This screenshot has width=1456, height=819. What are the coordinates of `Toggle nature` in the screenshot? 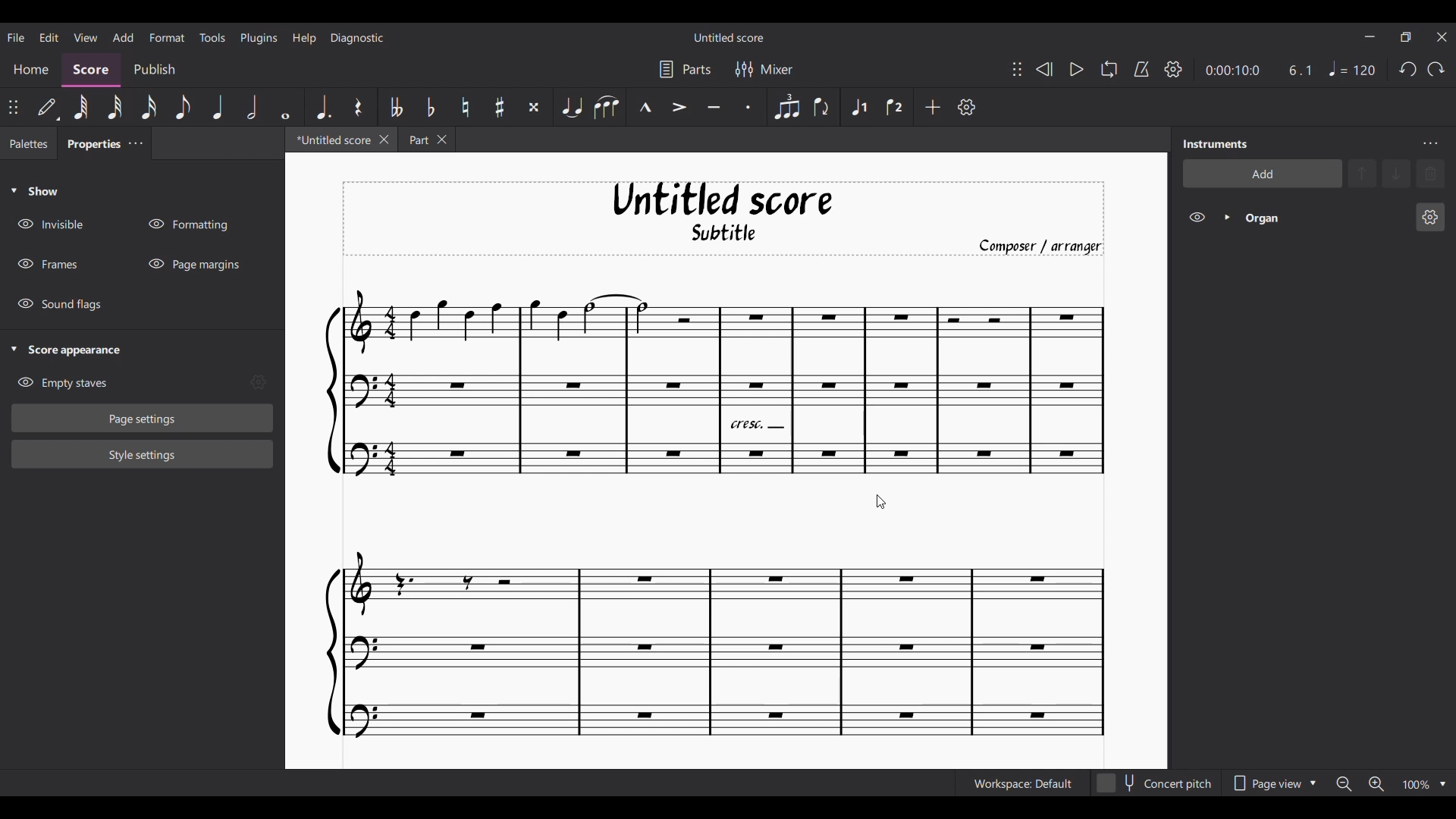 It's located at (464, 107).